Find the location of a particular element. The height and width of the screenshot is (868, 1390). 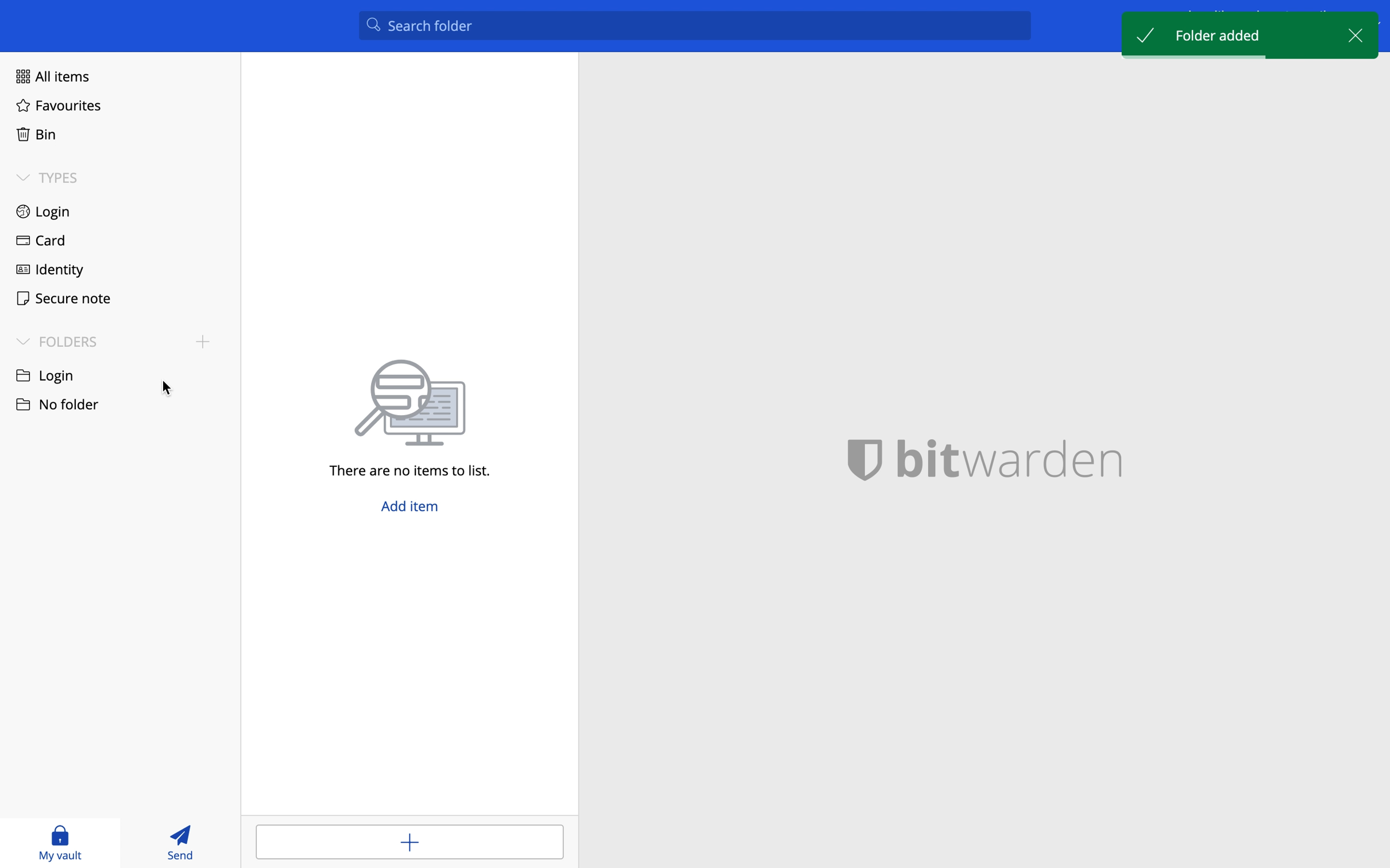

No folder is located at coordinates (59, 410).